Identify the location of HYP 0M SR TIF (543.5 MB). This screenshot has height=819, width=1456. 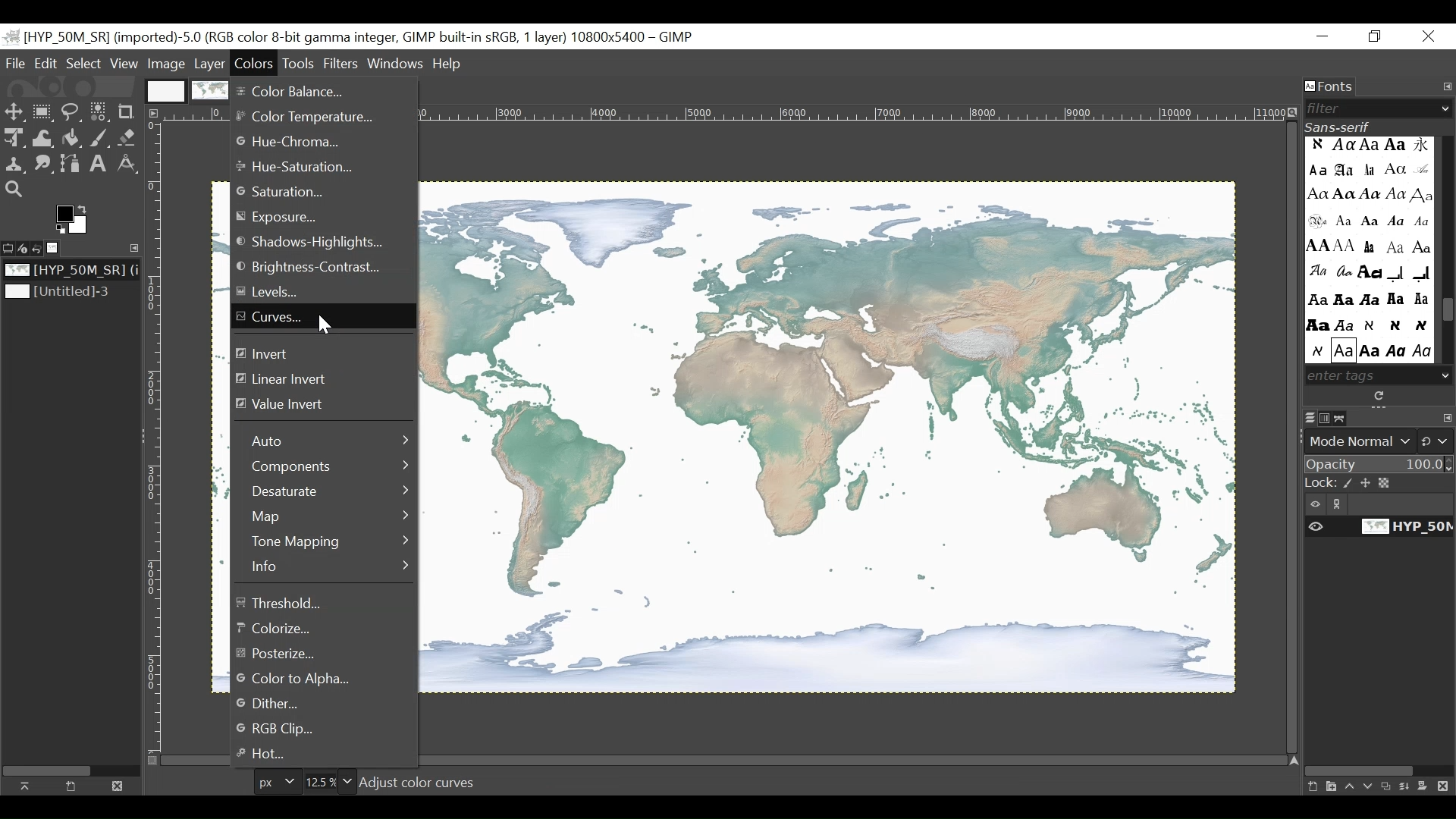
(444, 781).